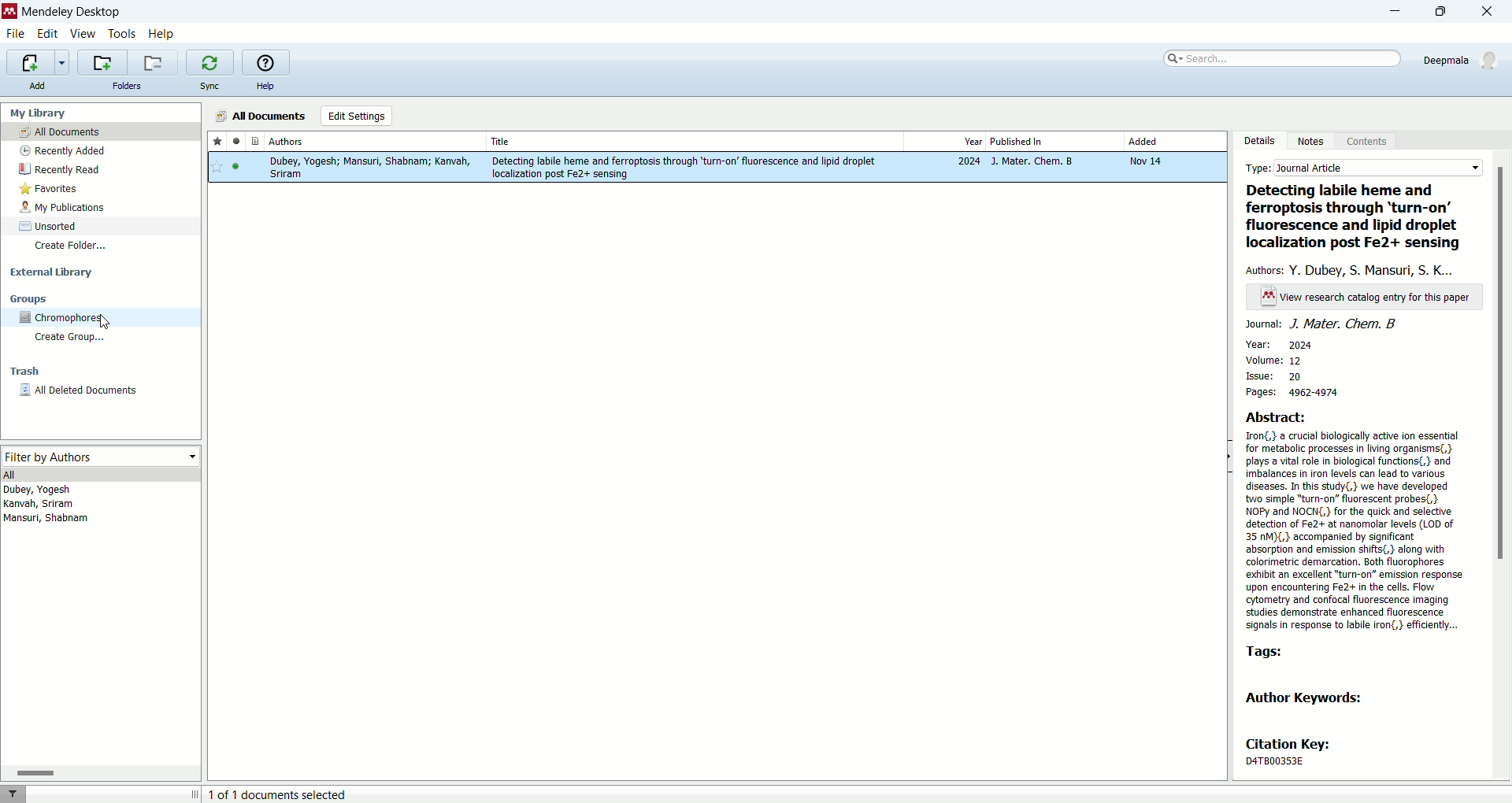 This screenshot has height=803, width=1512. What do you see at coordinates (375, 142) in the screenshot?
I see `authors` at bounding box center [375, 142].